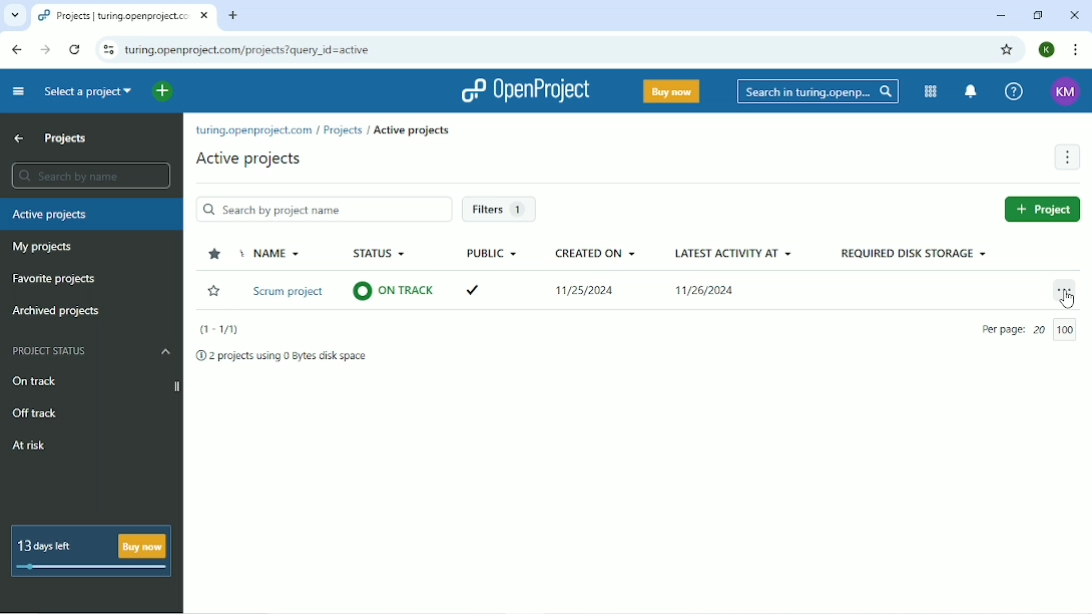 The width and height of the screenshot is (1092, 614). I want to click on Bookmark this tab, so click(1007, 50).